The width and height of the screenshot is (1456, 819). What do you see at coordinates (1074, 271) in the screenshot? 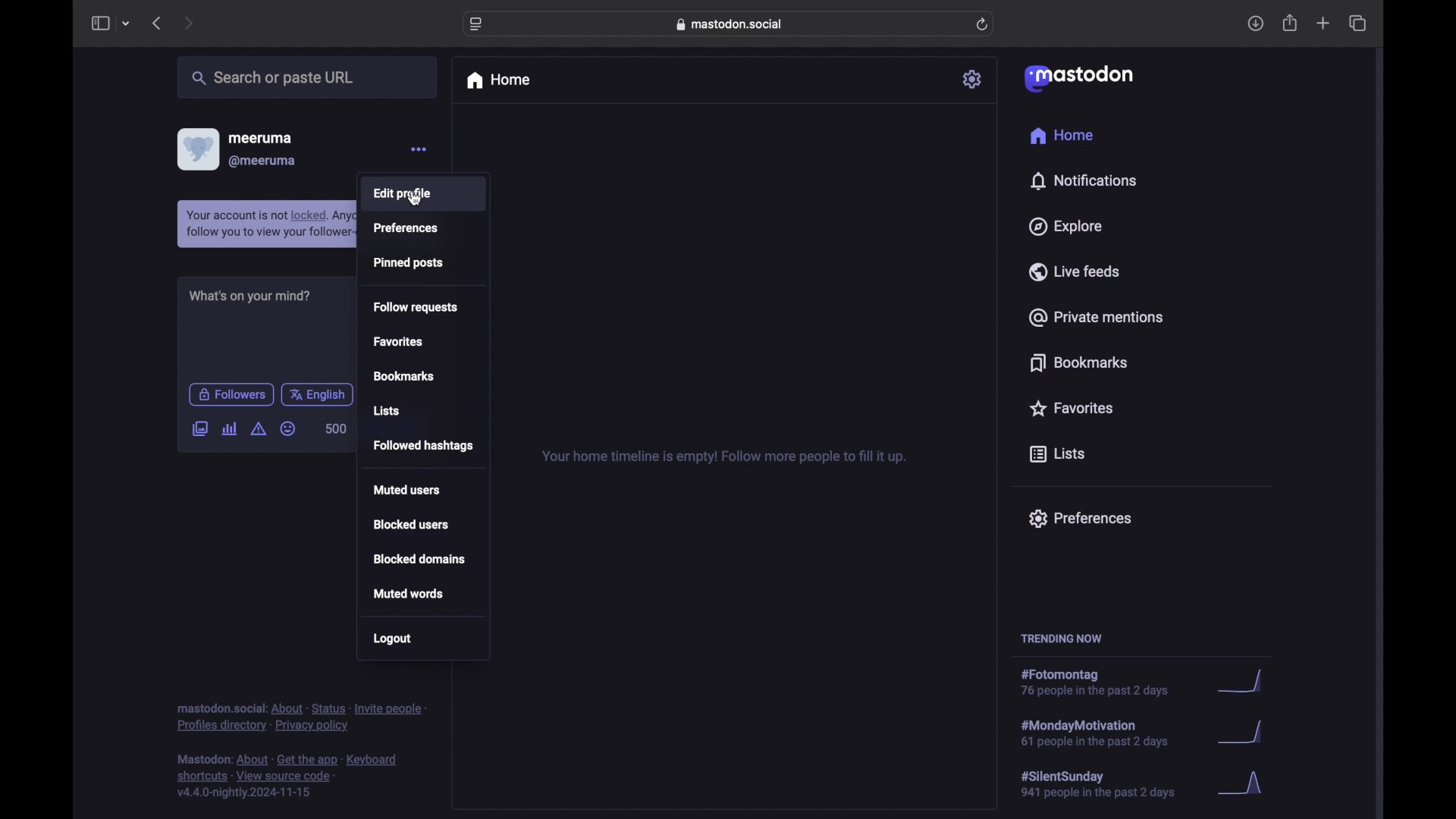
I see `live feeds` at bounding box center [1074, 271].